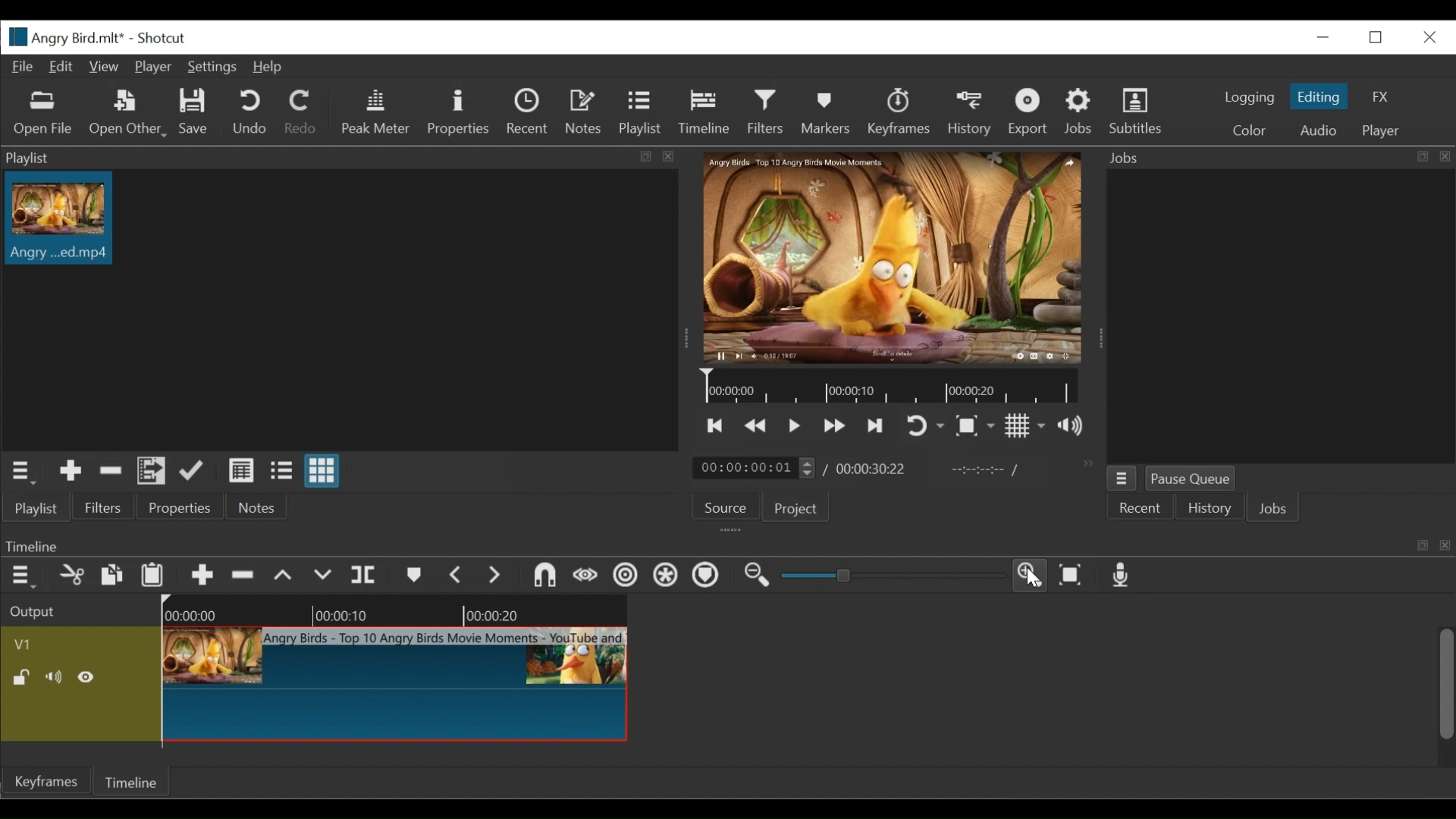  What do you see at coordinates (1313, 130) in the screenshot?
I see `Audio` at bounding box center [1313, 130].